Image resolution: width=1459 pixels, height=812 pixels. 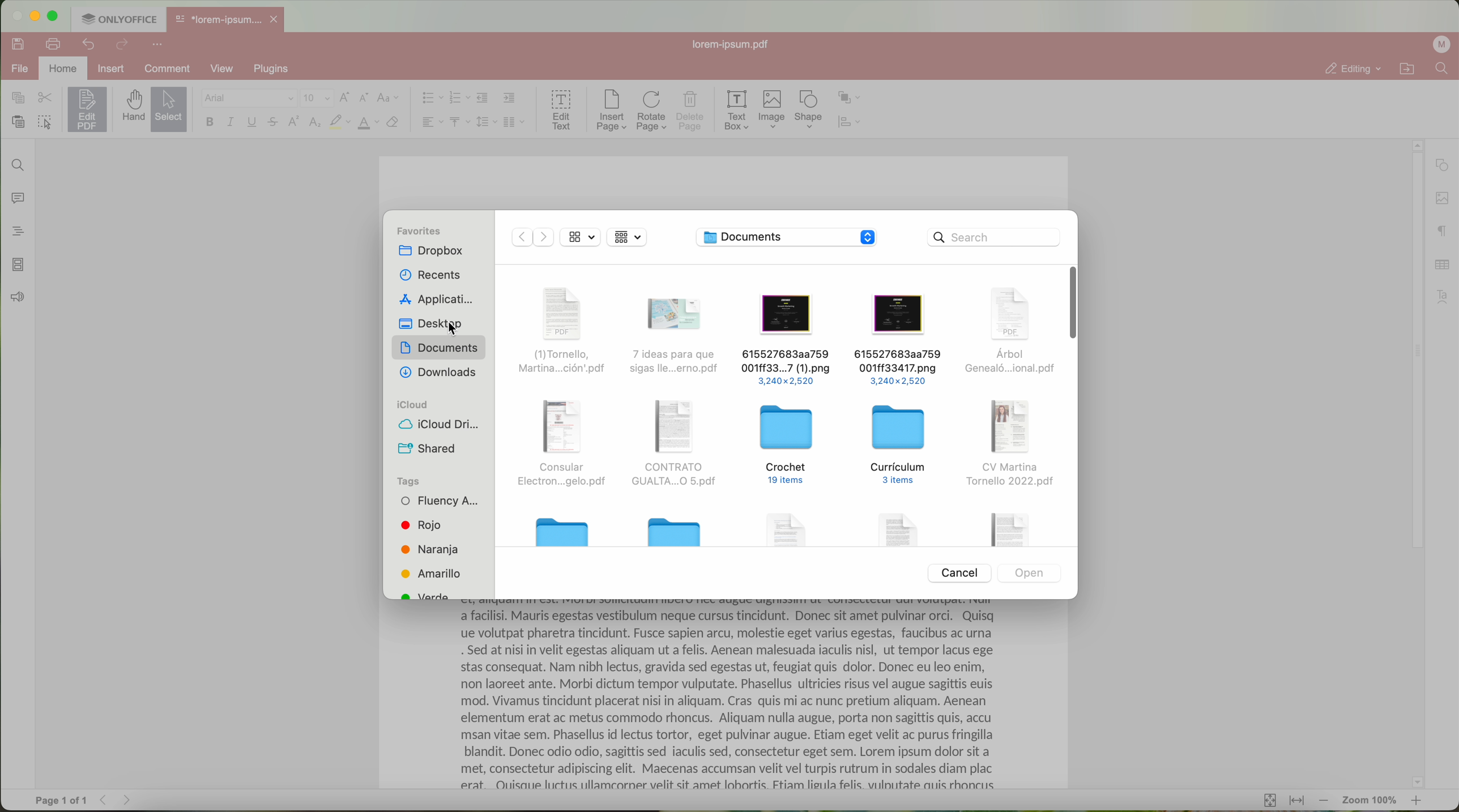 I want to click on Documents, so click(x=758, y=237).